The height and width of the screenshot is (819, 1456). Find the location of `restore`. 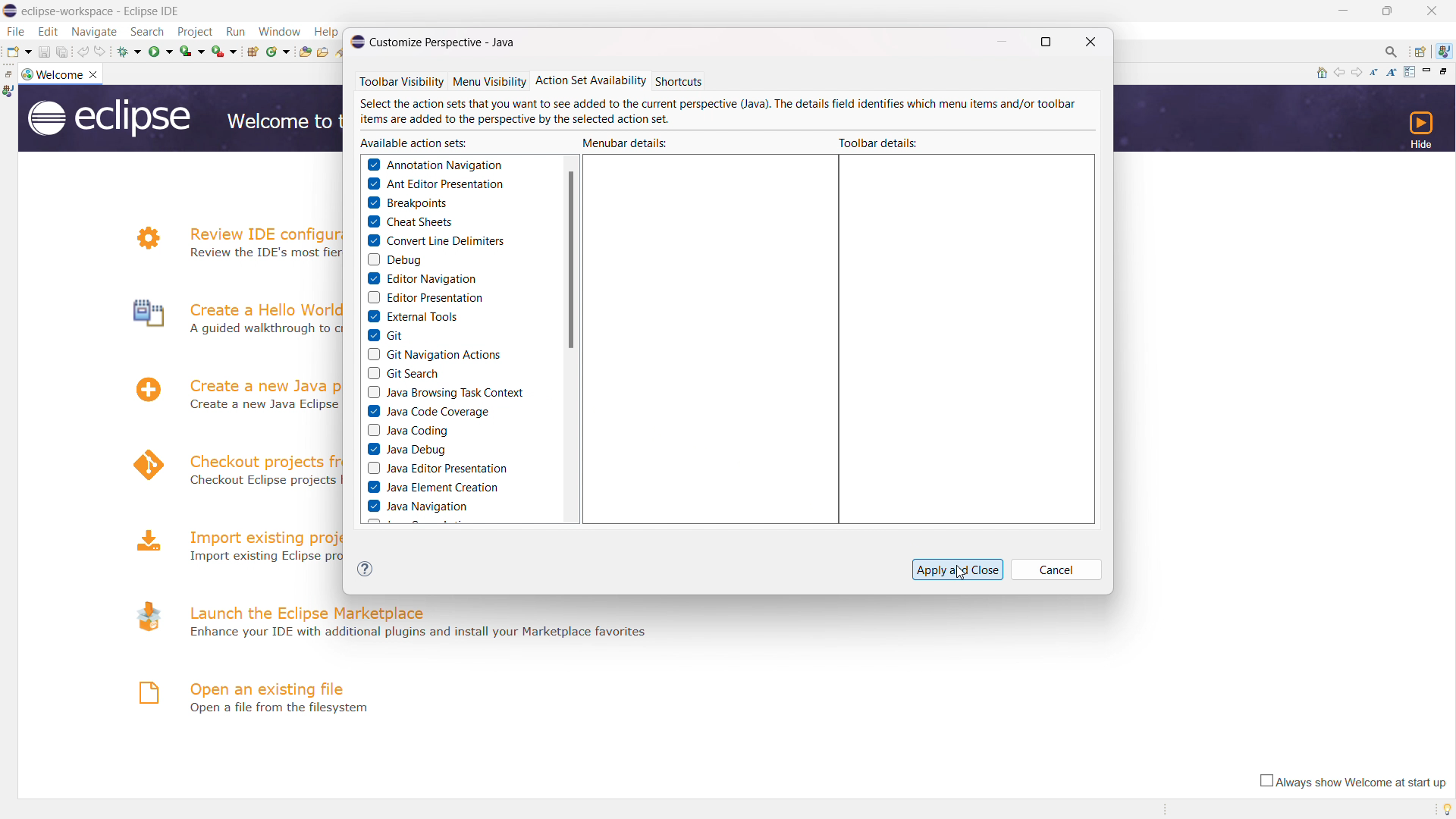

restore is located at coordinates (9, 74).